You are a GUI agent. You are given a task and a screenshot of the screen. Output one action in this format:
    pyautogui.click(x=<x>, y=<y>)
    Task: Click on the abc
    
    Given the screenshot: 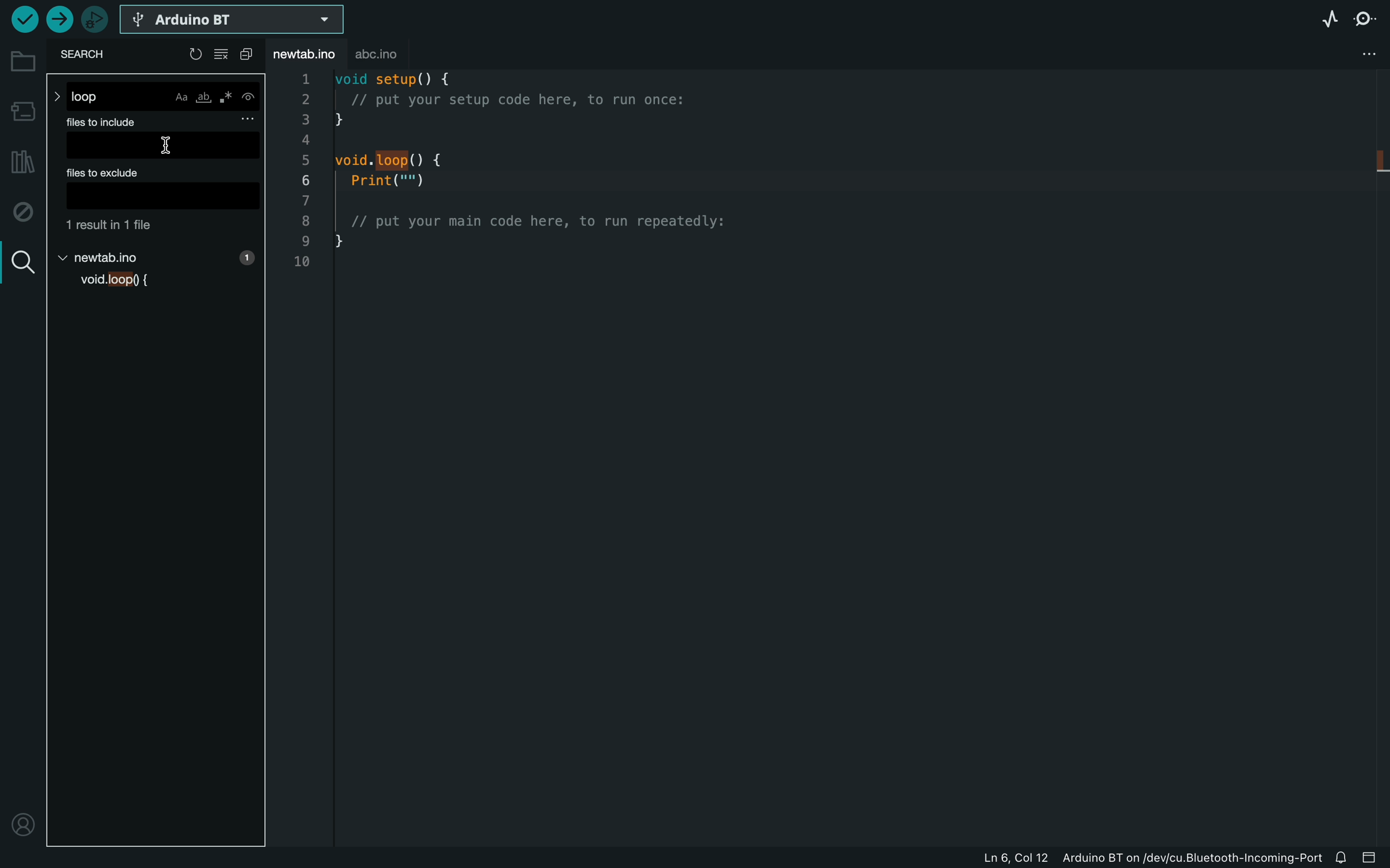 What is the action you would take?
    pyautogui.click(x=391, y=54)
    